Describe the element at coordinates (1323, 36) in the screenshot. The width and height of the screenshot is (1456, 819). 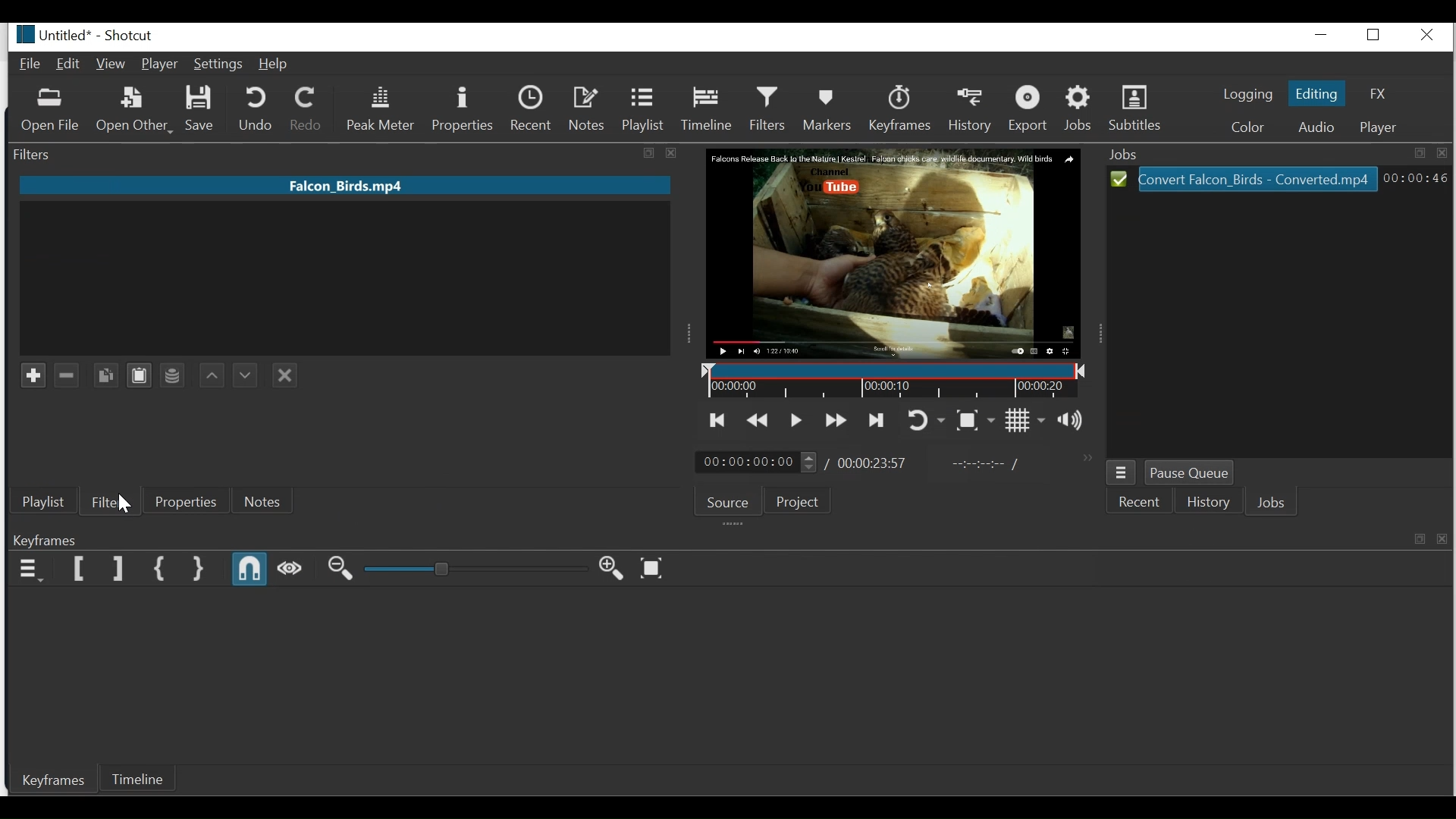
I see `Minimize` at that location.